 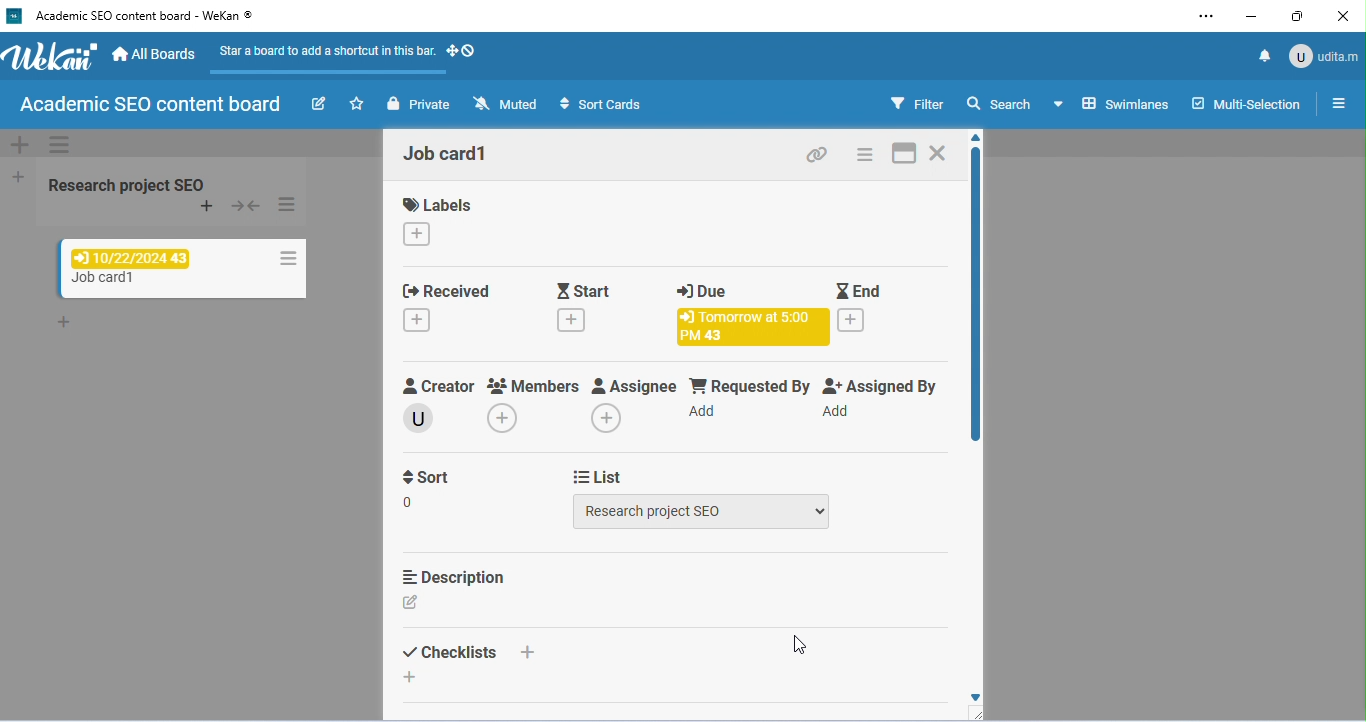 What do you see at coordinates (319, 104) in the screenshot?
I see `edit` at bounding box center [319, 104].